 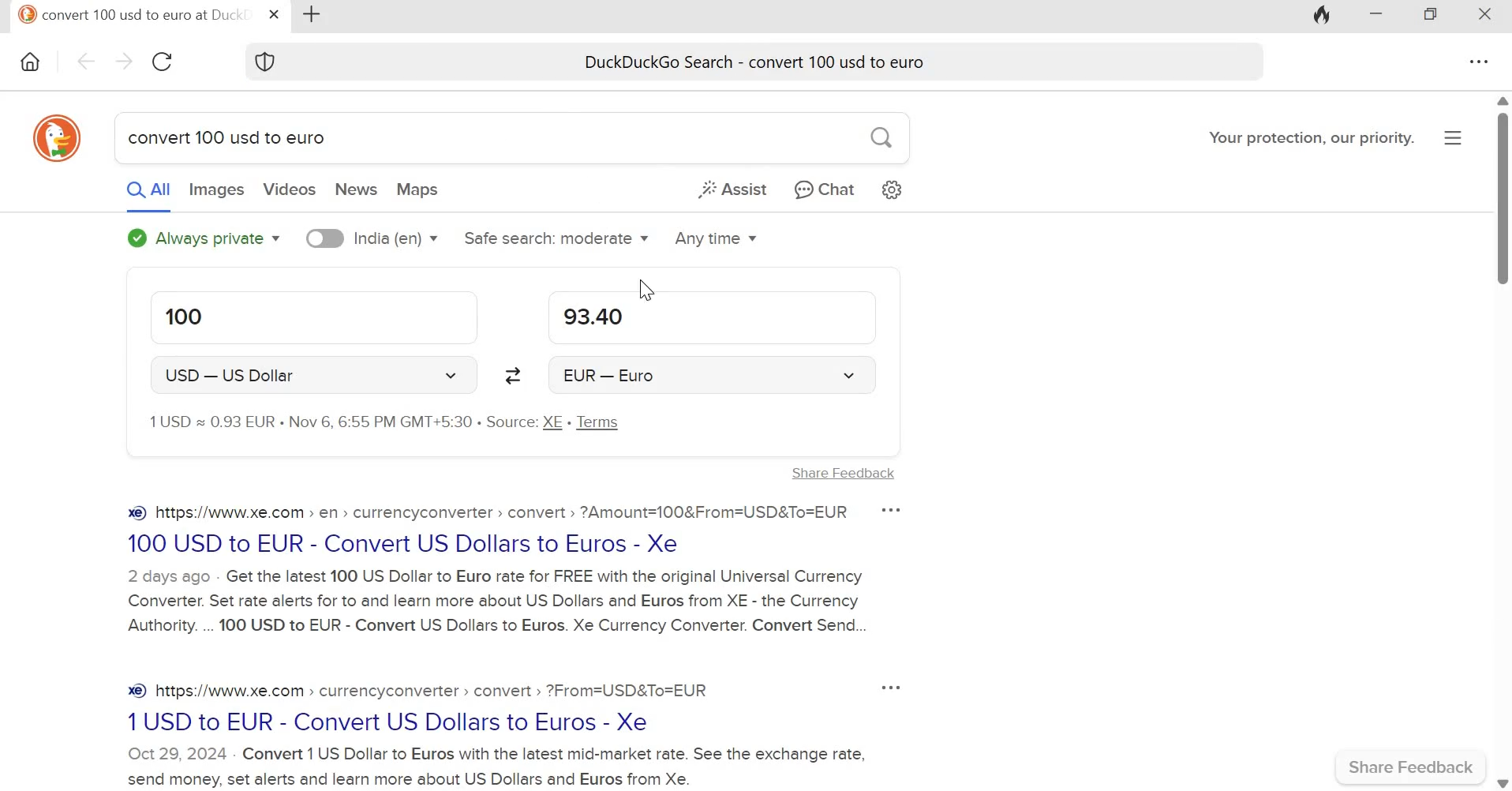 I want to click on Chat privately with AI, so click(x=820, y=189).